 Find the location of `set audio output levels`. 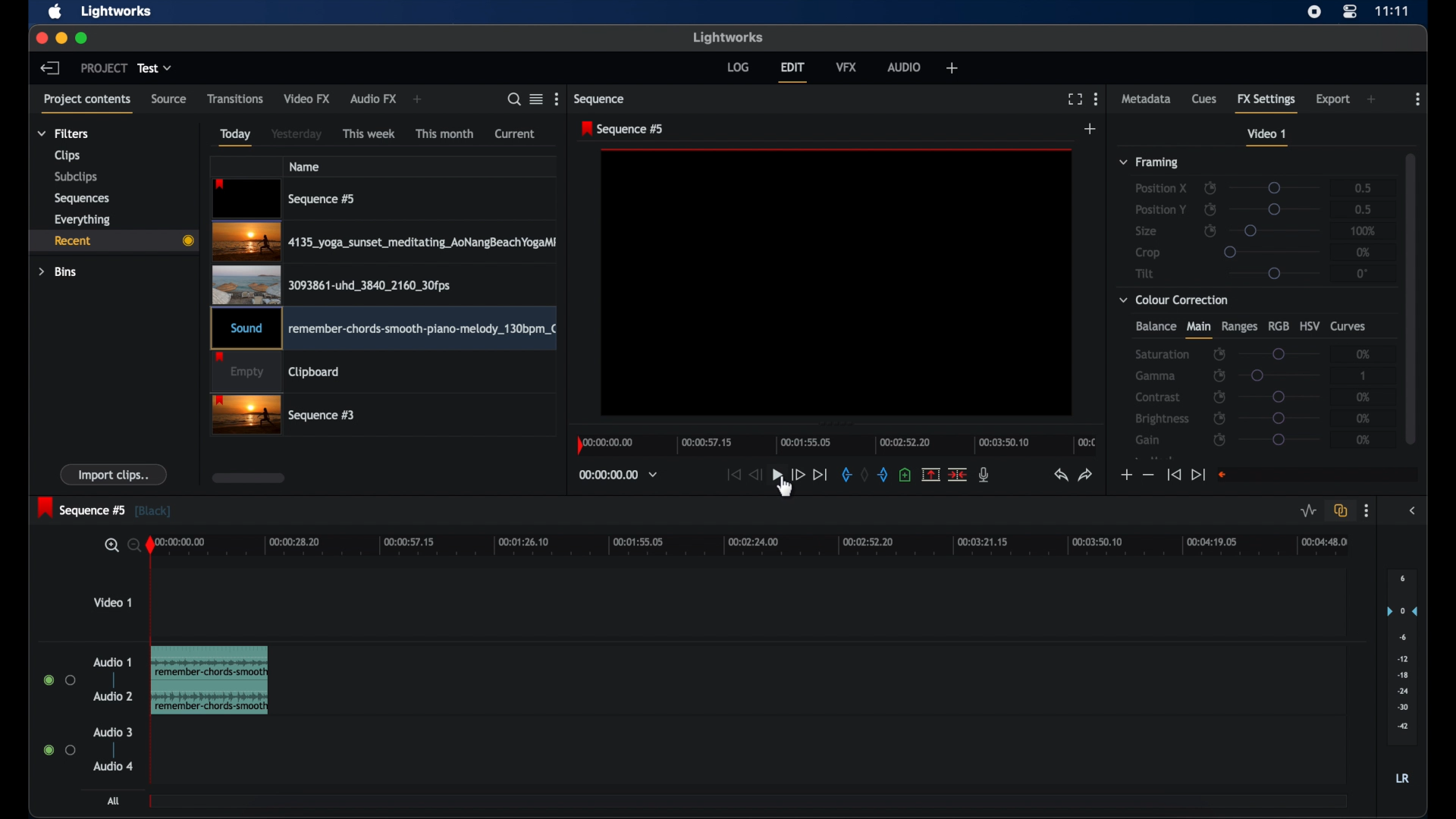

set audio output levels is located at coordinates (1401, 656).